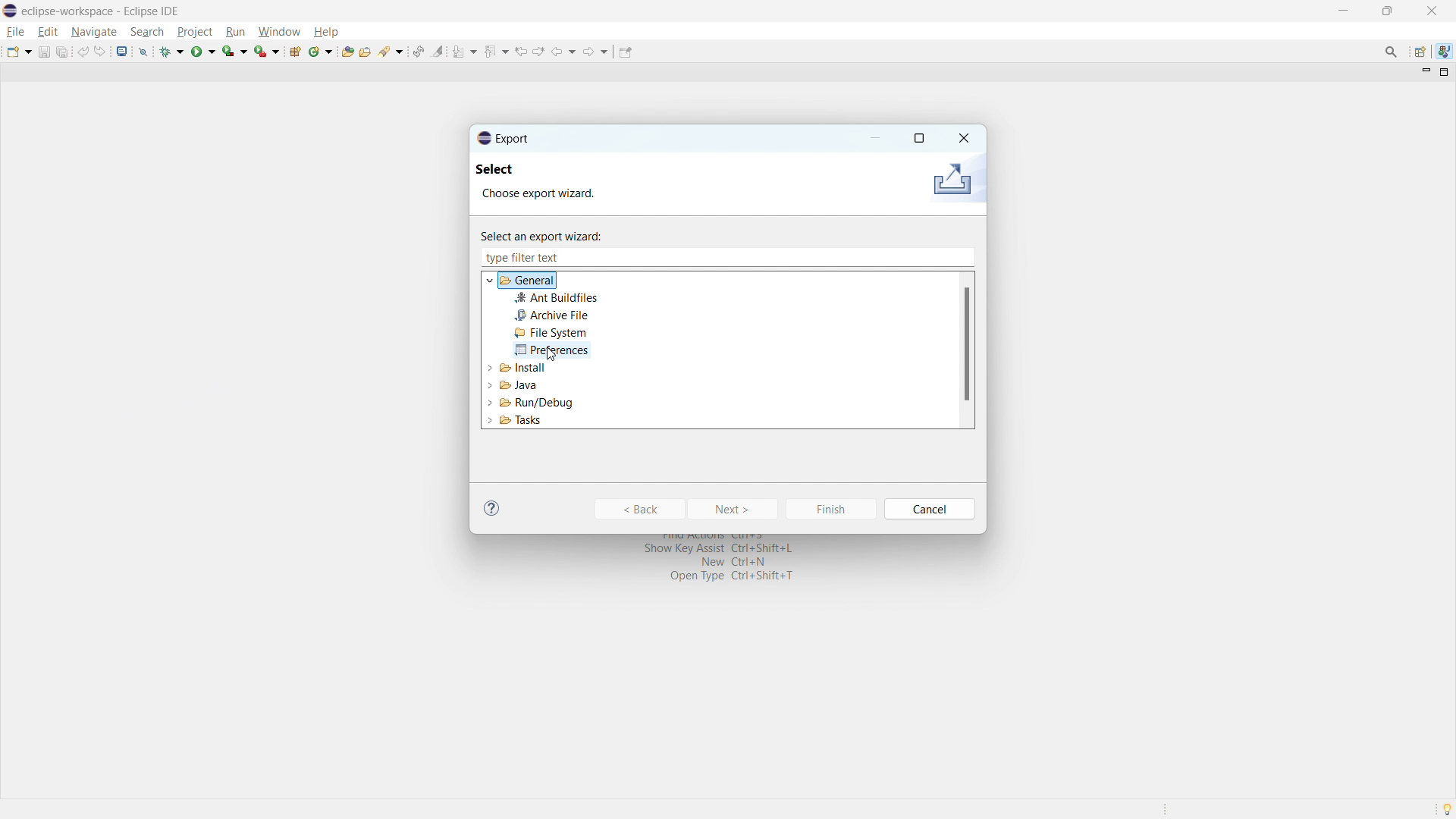 The image size is (1456, 819). Describe the element at coordinates (10, 11) in the screenshot. I see `logo` at that location.